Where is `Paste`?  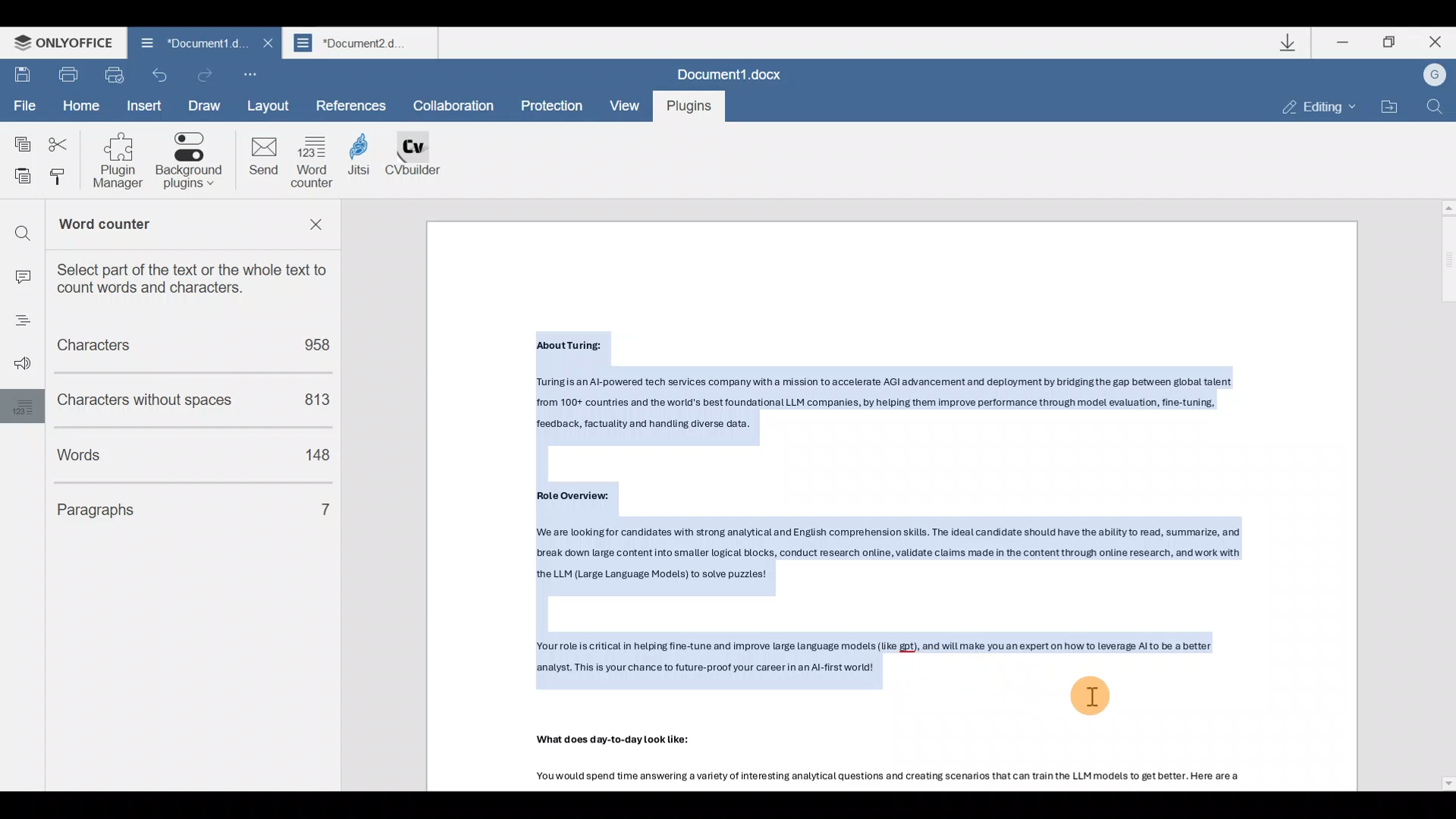
Paste is located at coordinates (18, 178).